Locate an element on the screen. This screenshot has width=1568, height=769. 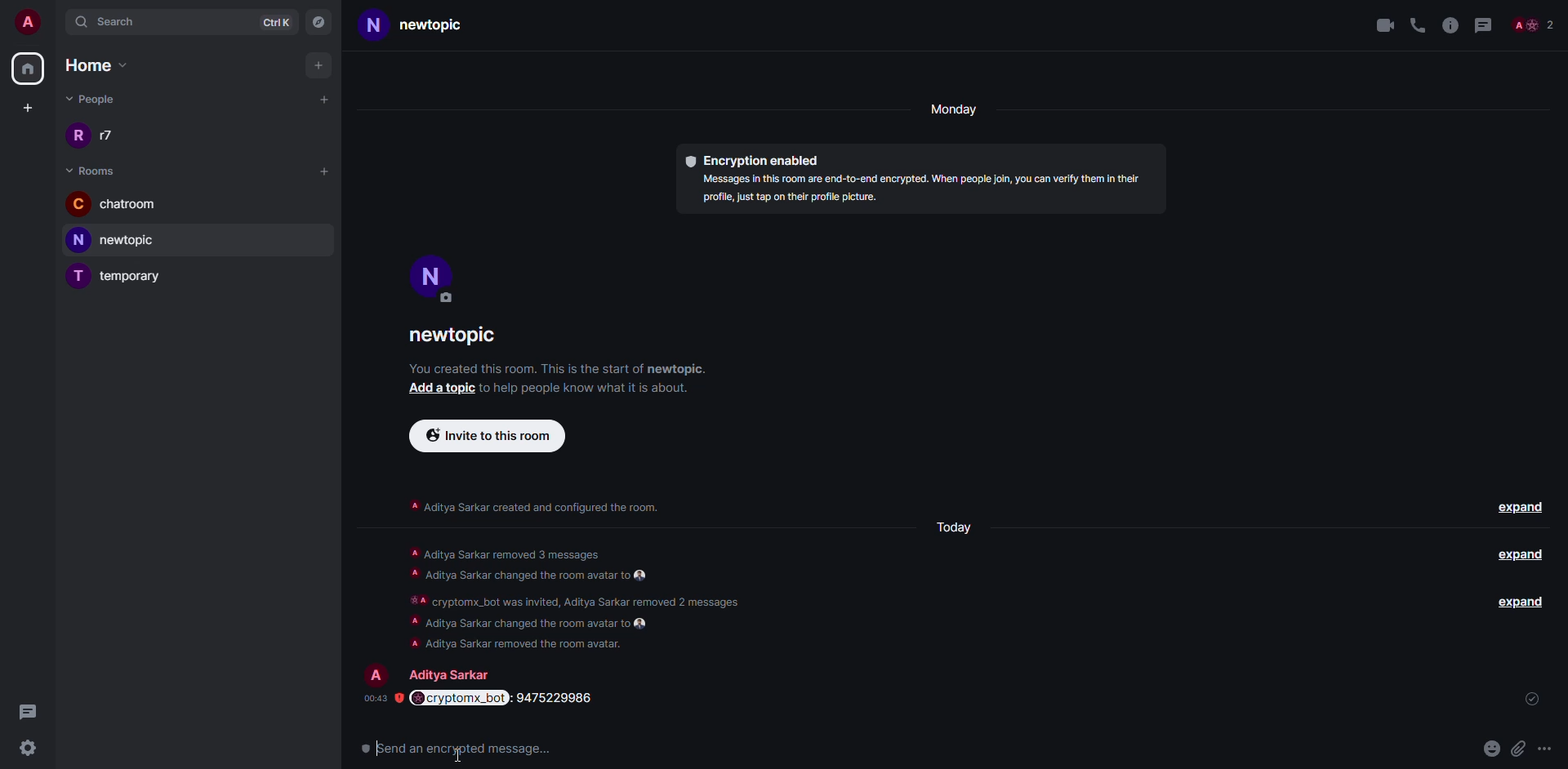
expand is located at coordinates (1522, 562).